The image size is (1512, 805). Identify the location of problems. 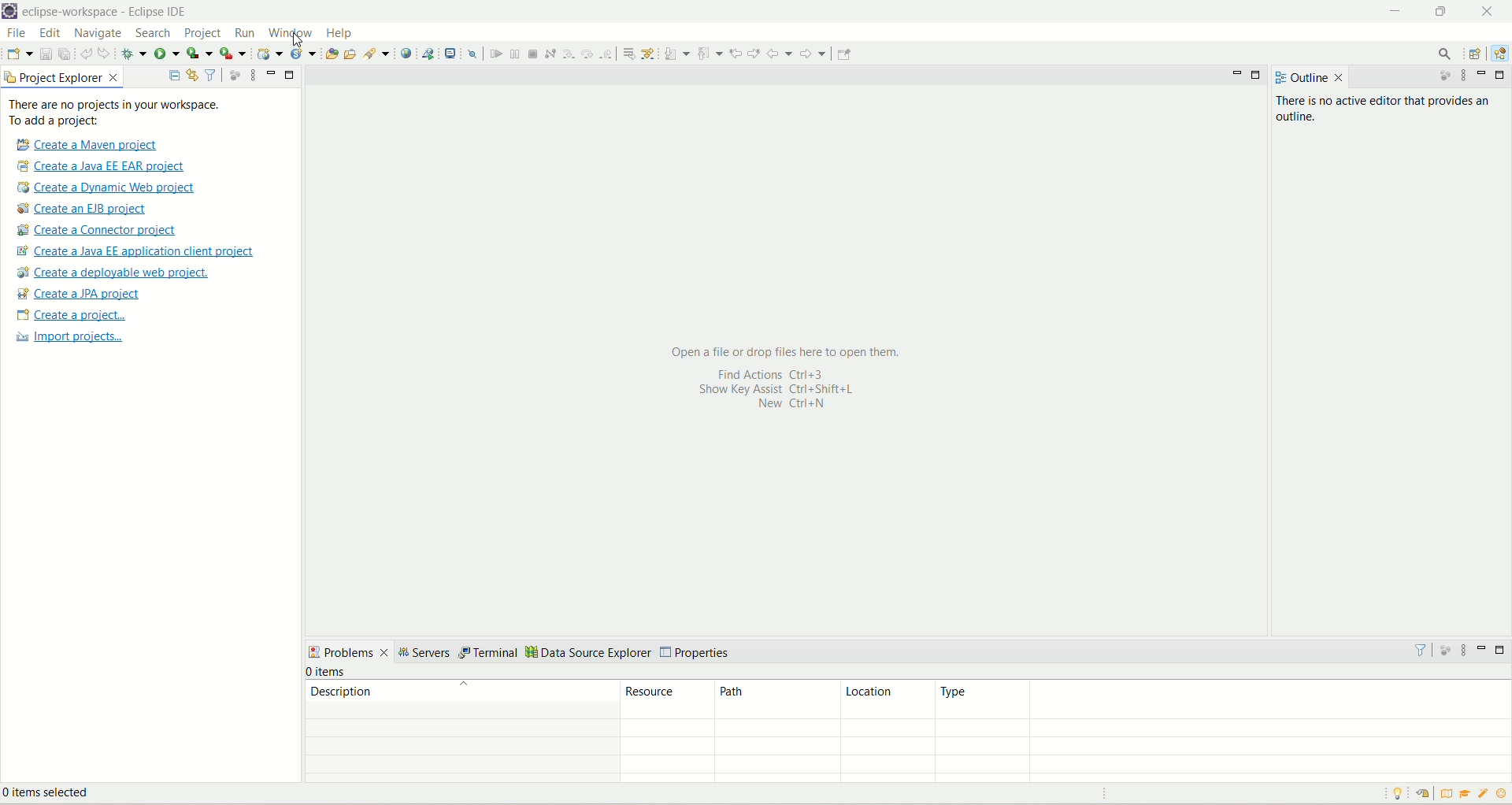
(349, 651).